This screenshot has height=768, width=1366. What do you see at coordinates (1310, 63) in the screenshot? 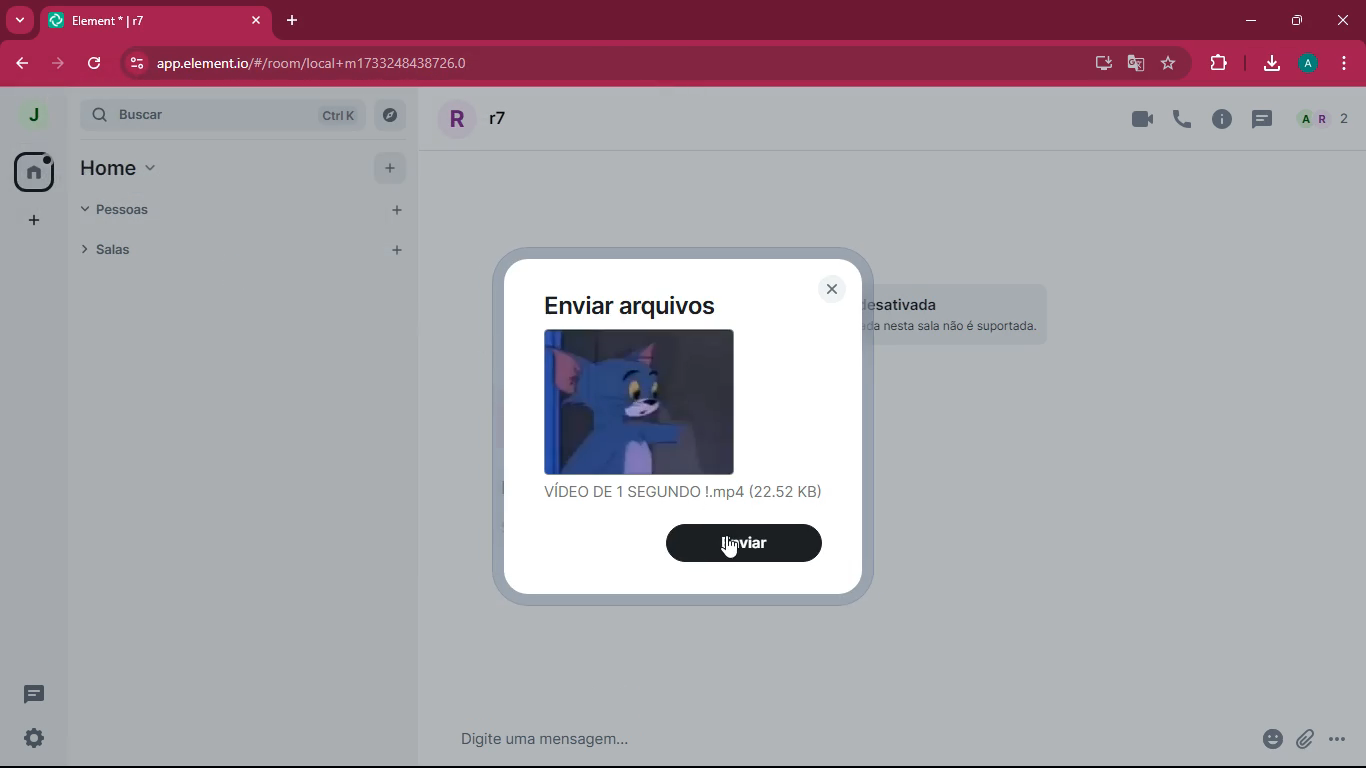
I see `profile` at bounding box center [1310, 63].